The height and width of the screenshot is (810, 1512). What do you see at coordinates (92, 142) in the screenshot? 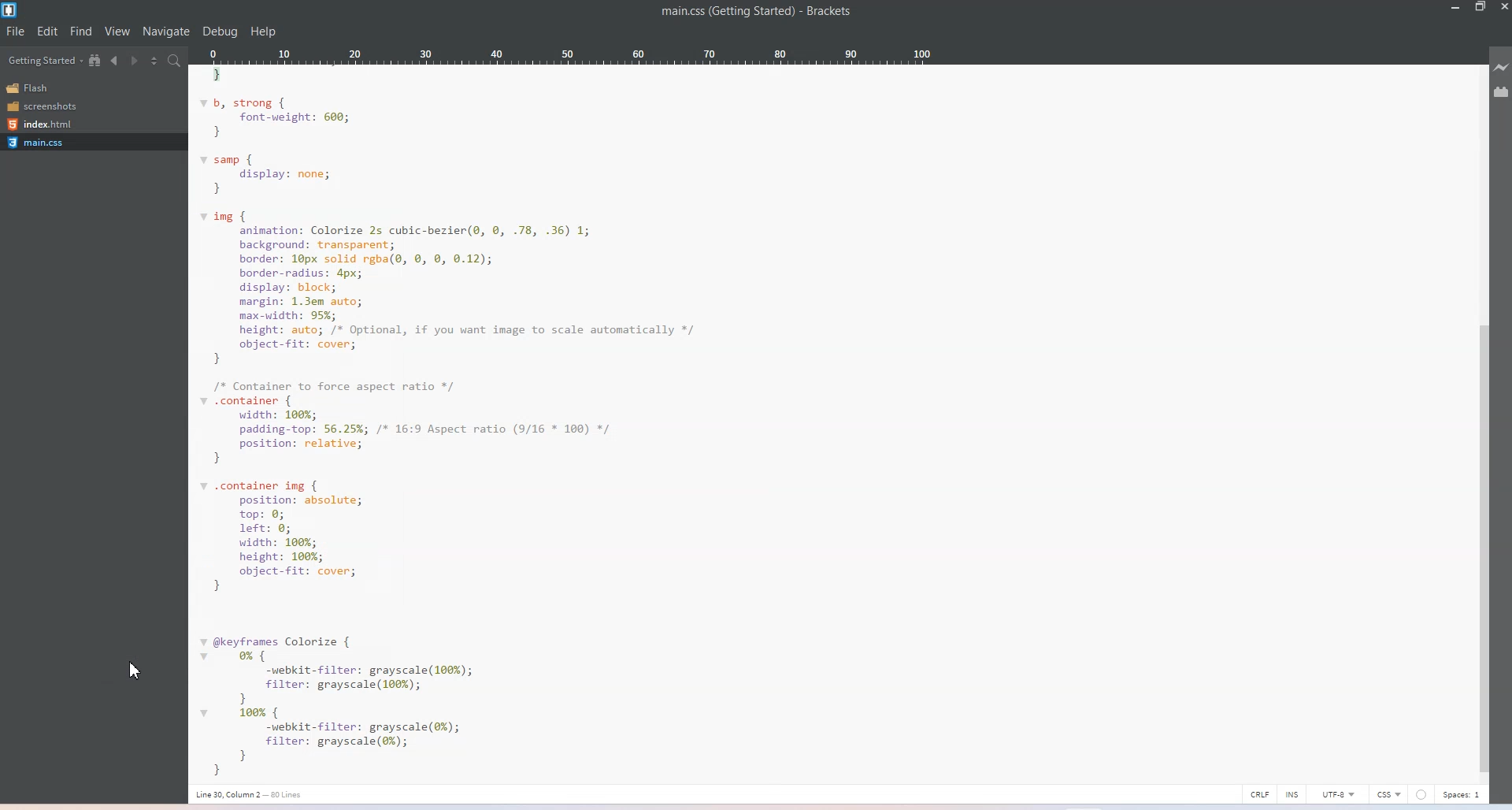
I see `main.css` at bounding box center [92, 142].